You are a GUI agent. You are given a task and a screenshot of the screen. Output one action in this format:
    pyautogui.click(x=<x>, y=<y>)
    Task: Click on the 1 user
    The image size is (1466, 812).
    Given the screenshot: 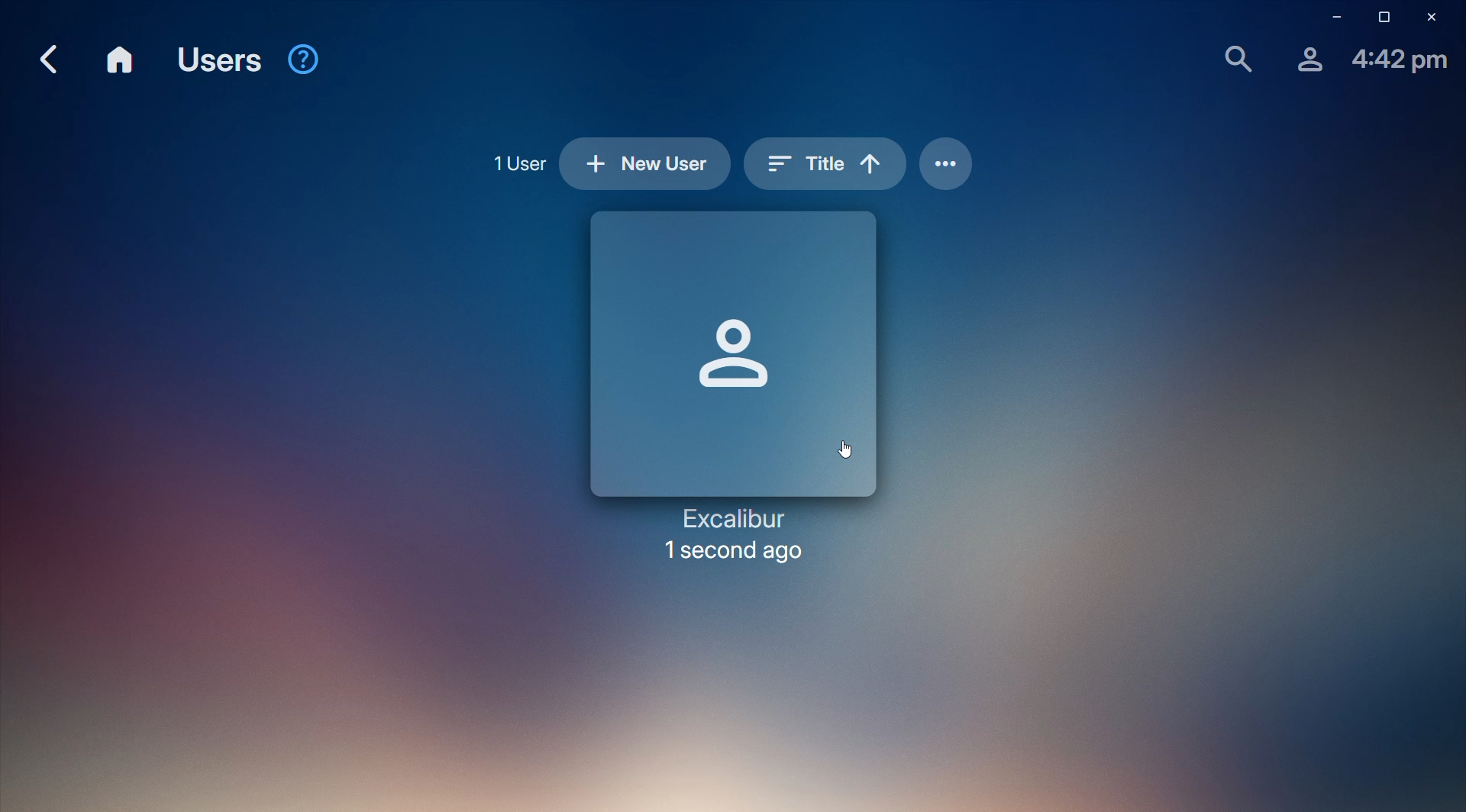 What is the action you would take?
    pyautogui.click(x=516, y=163)
    